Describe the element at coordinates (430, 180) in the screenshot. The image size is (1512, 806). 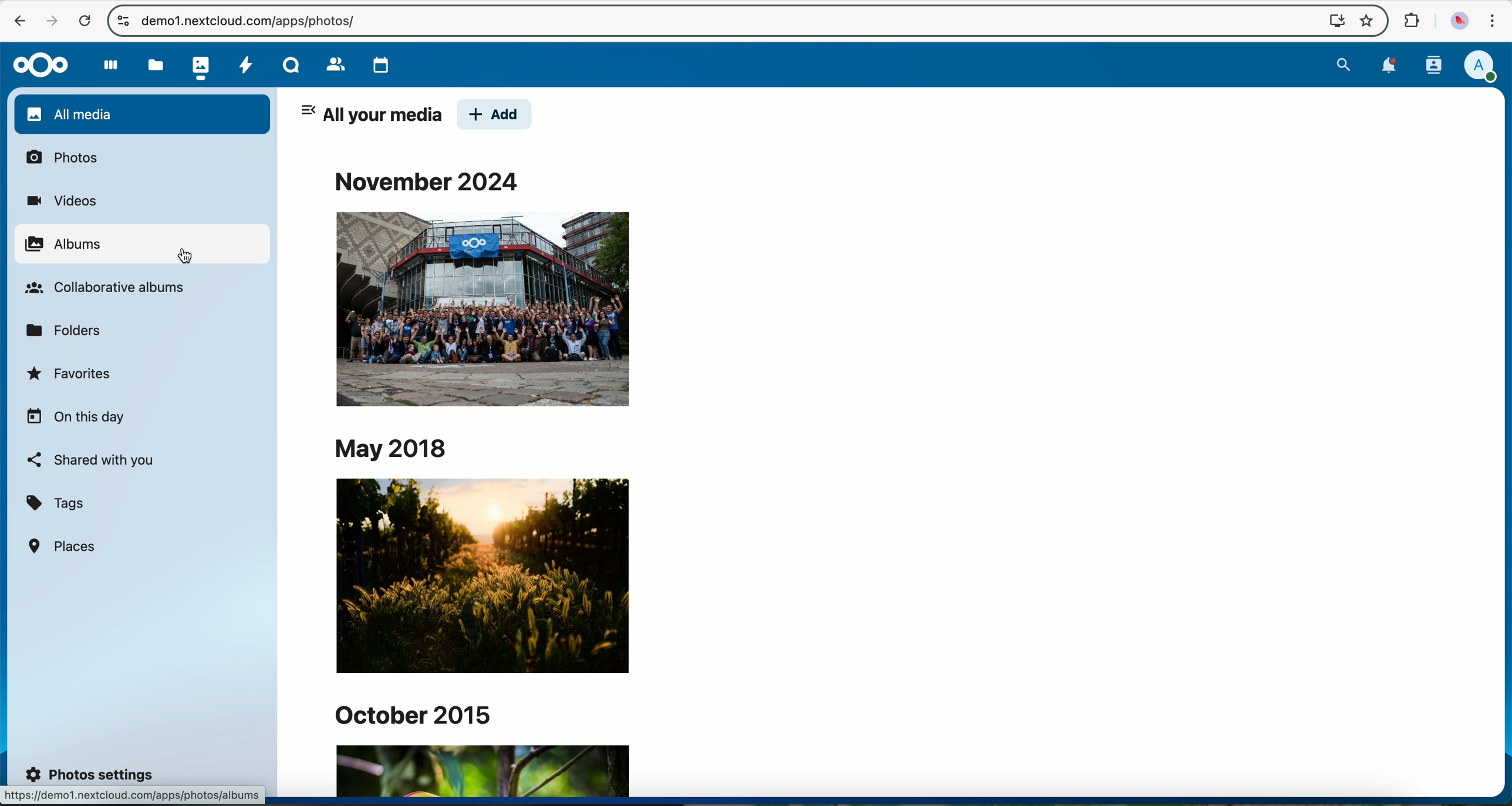
I see `november 2024` at that location.